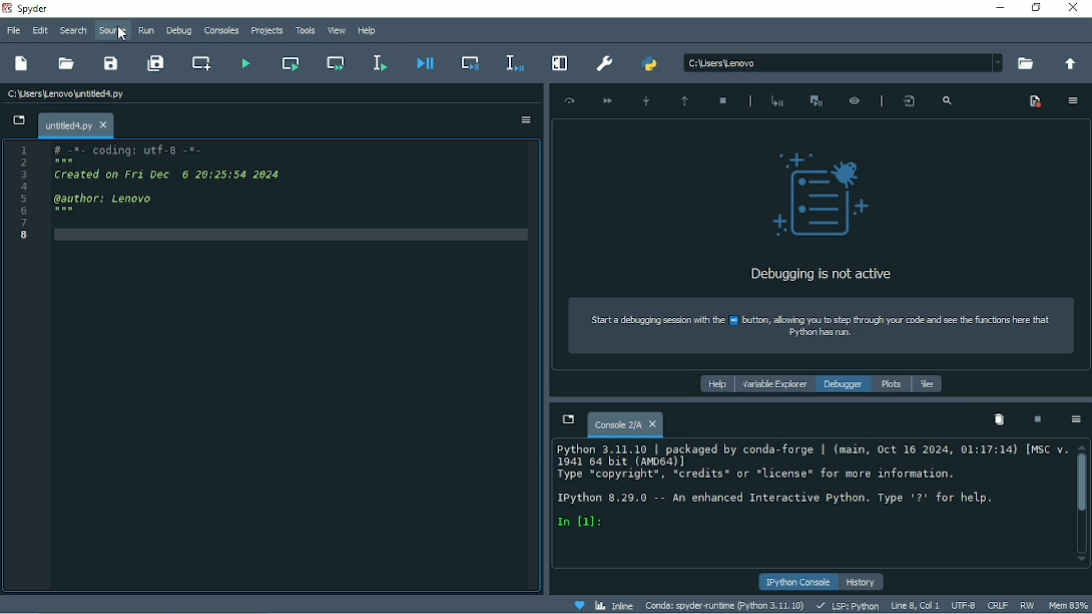 Image resolution: width=1092 pixels, height=614 pixels. I want to click on Vertical scrollbar, so click(1081, 485).